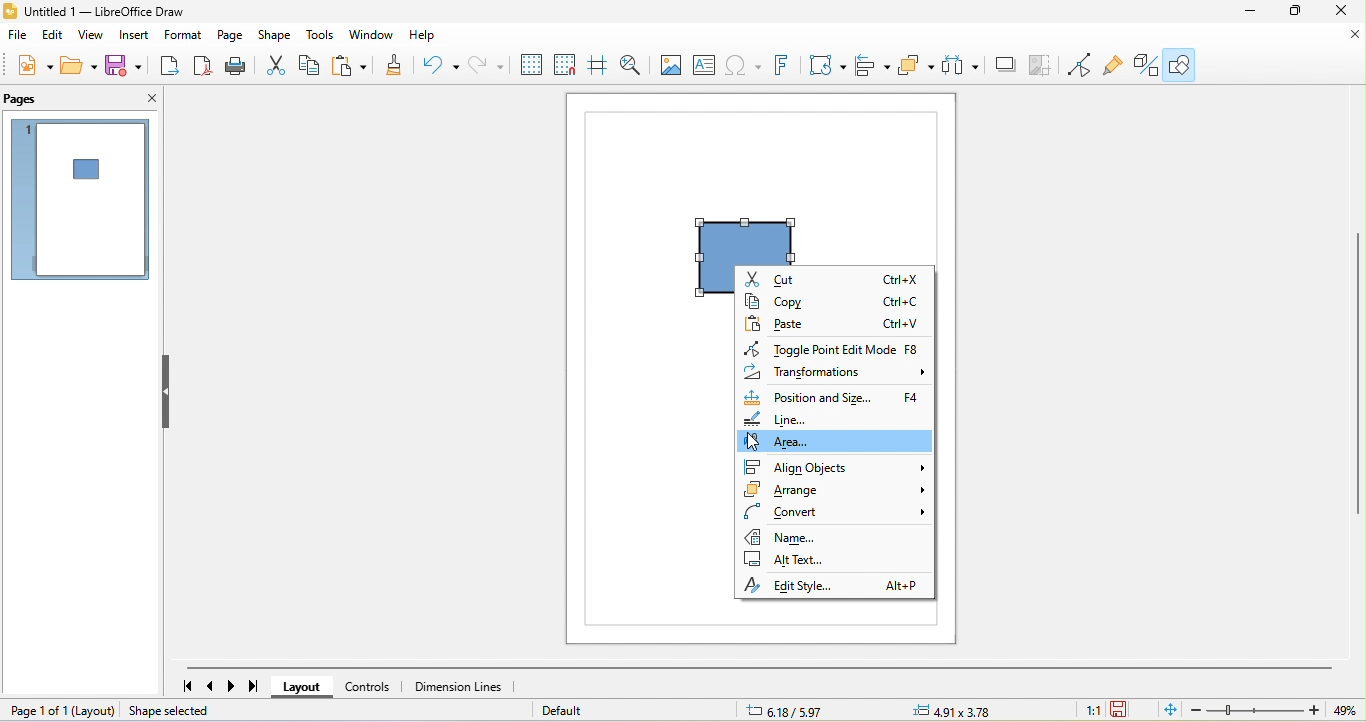 This screenshot has width=1366, height=722. I want to click on last page, so click(261, 686).